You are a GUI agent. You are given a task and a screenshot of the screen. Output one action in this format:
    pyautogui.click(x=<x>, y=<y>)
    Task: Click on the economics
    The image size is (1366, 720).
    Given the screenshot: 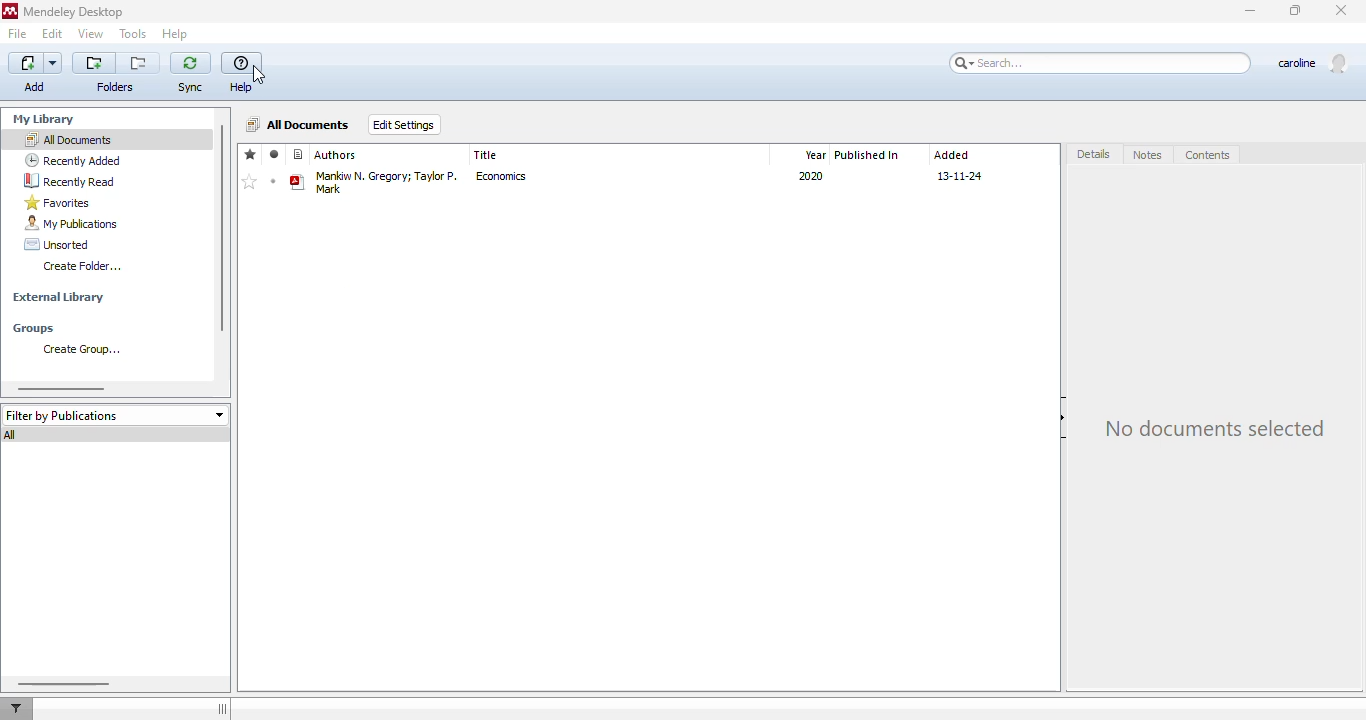 What is the action you would take?
    pyautogui.click(x=500, y=176)
    